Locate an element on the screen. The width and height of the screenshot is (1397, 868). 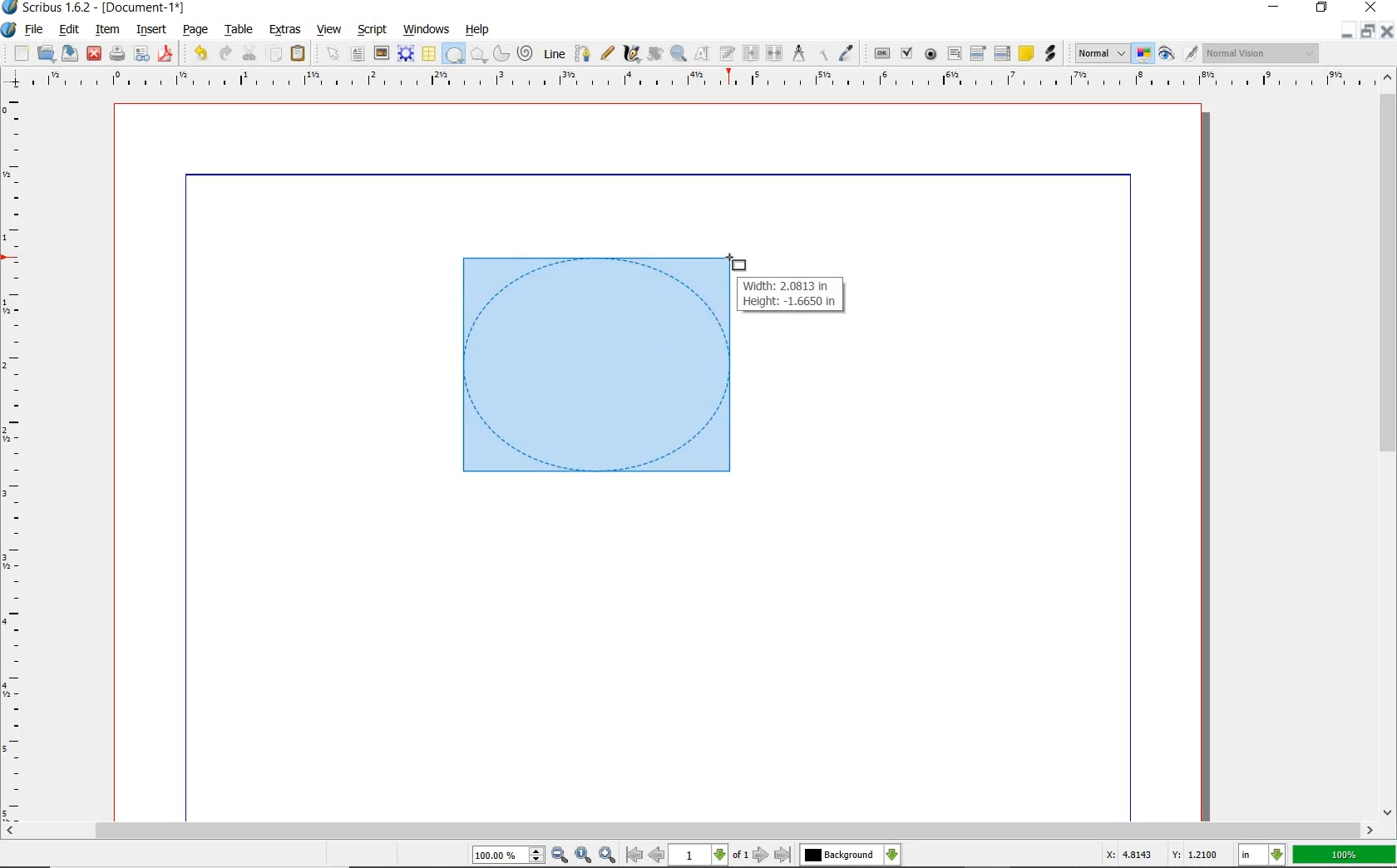
SYSTEM NAME is located at coordinates (95, 7).